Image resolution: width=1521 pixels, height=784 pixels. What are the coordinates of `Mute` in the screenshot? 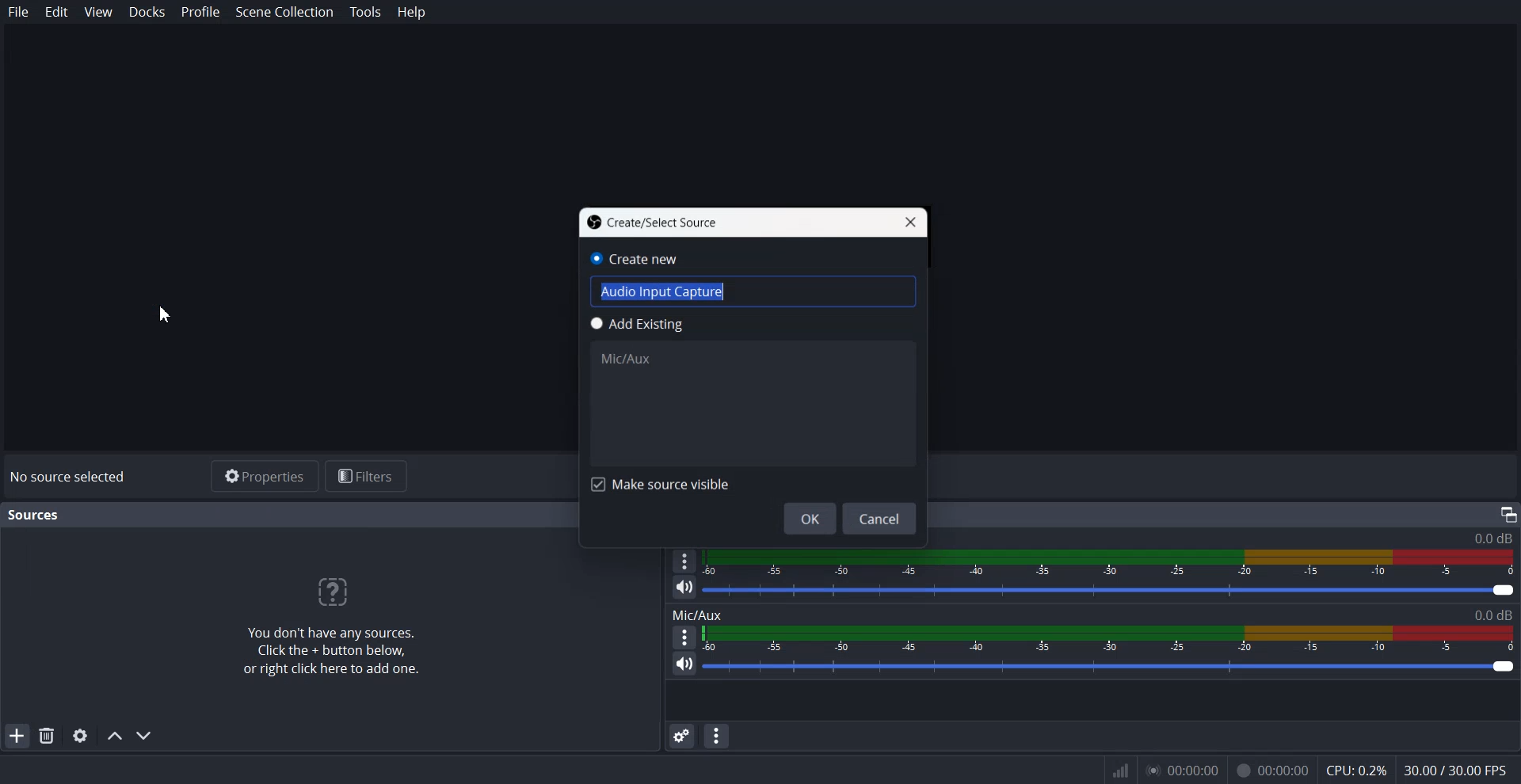 It's located at (685, 664).